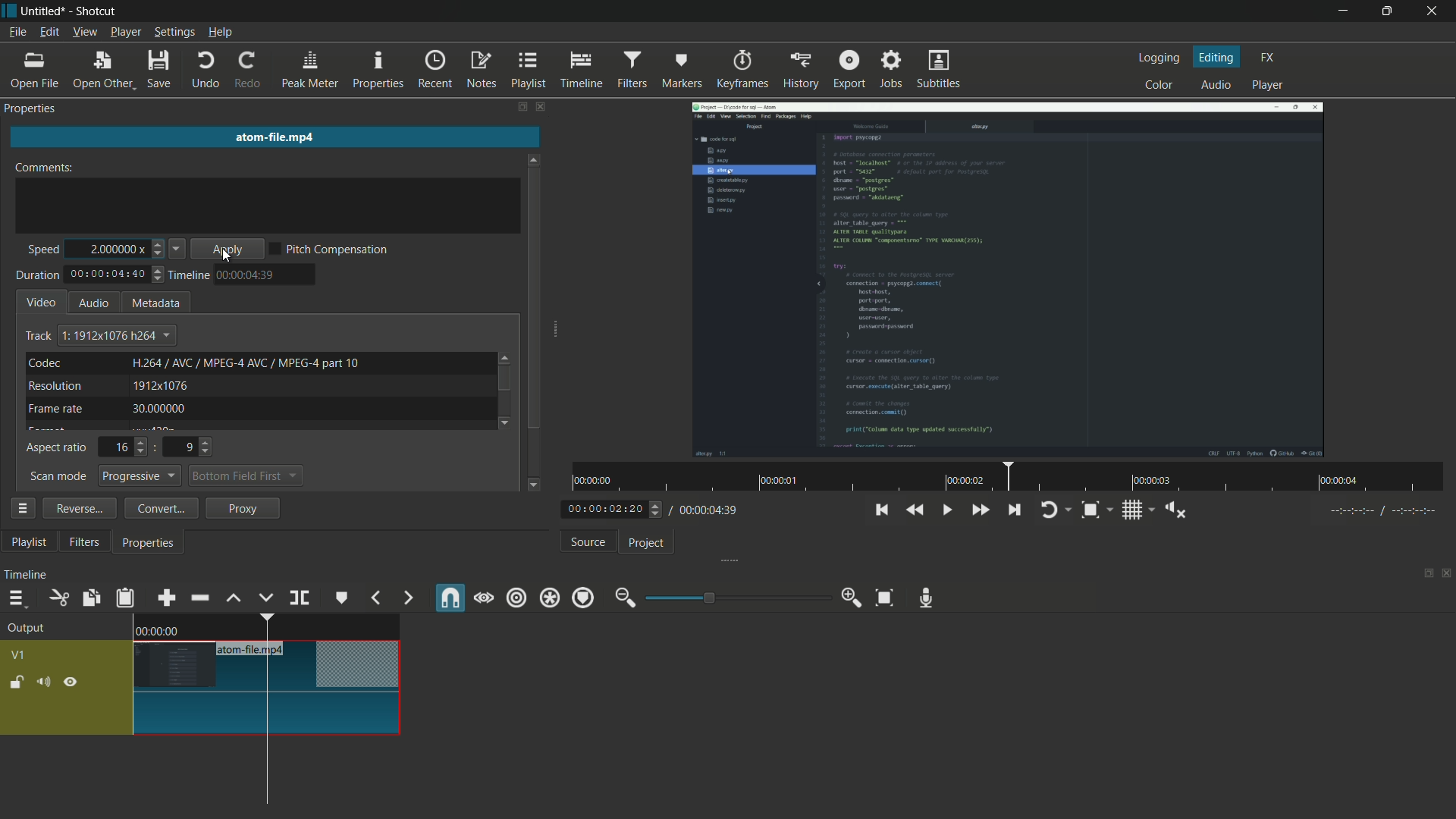  I want to click on bottom field first, so click(235, 475).